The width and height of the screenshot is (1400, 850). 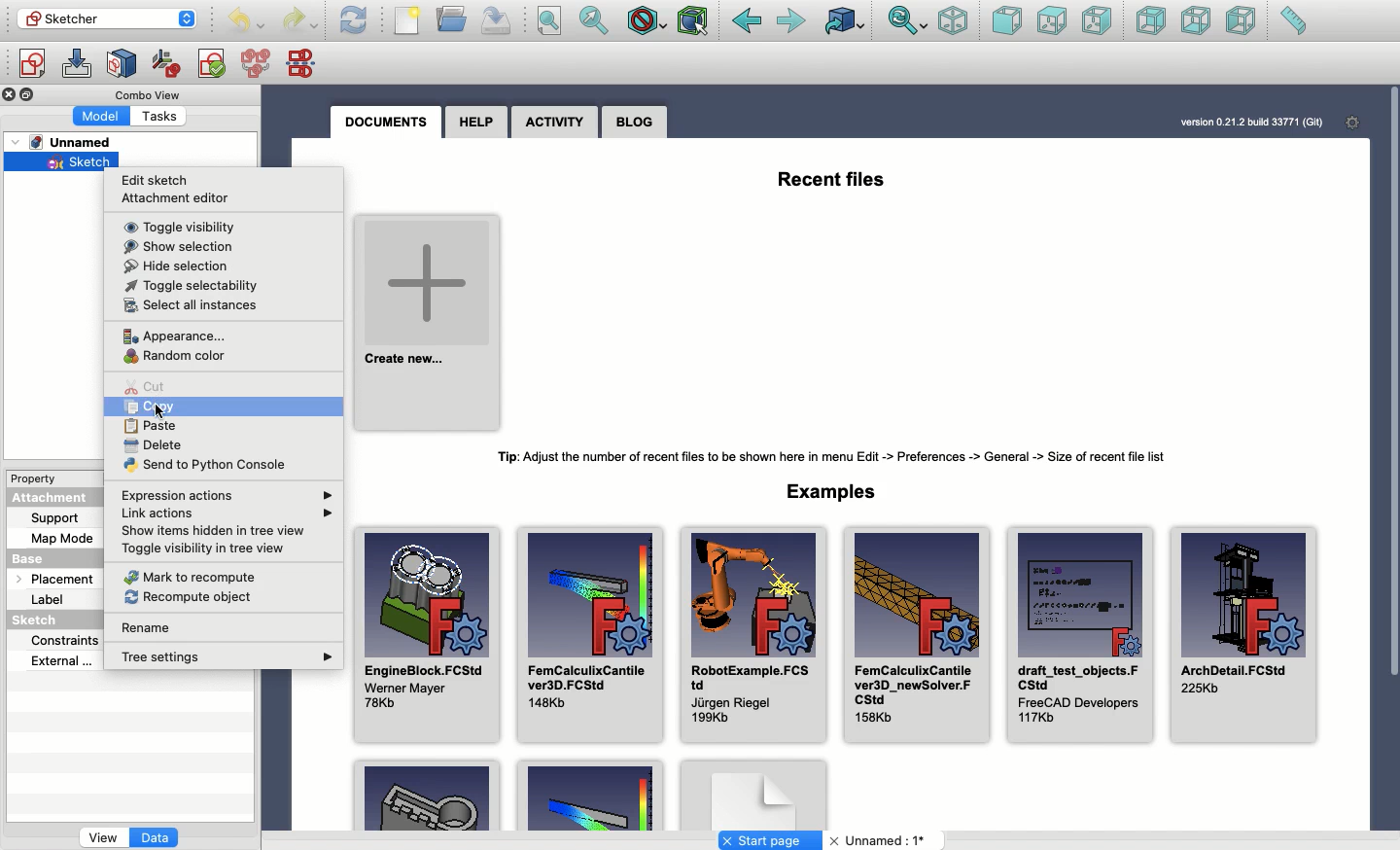 I want to click on Bottom, so click(x=1194, y=20).